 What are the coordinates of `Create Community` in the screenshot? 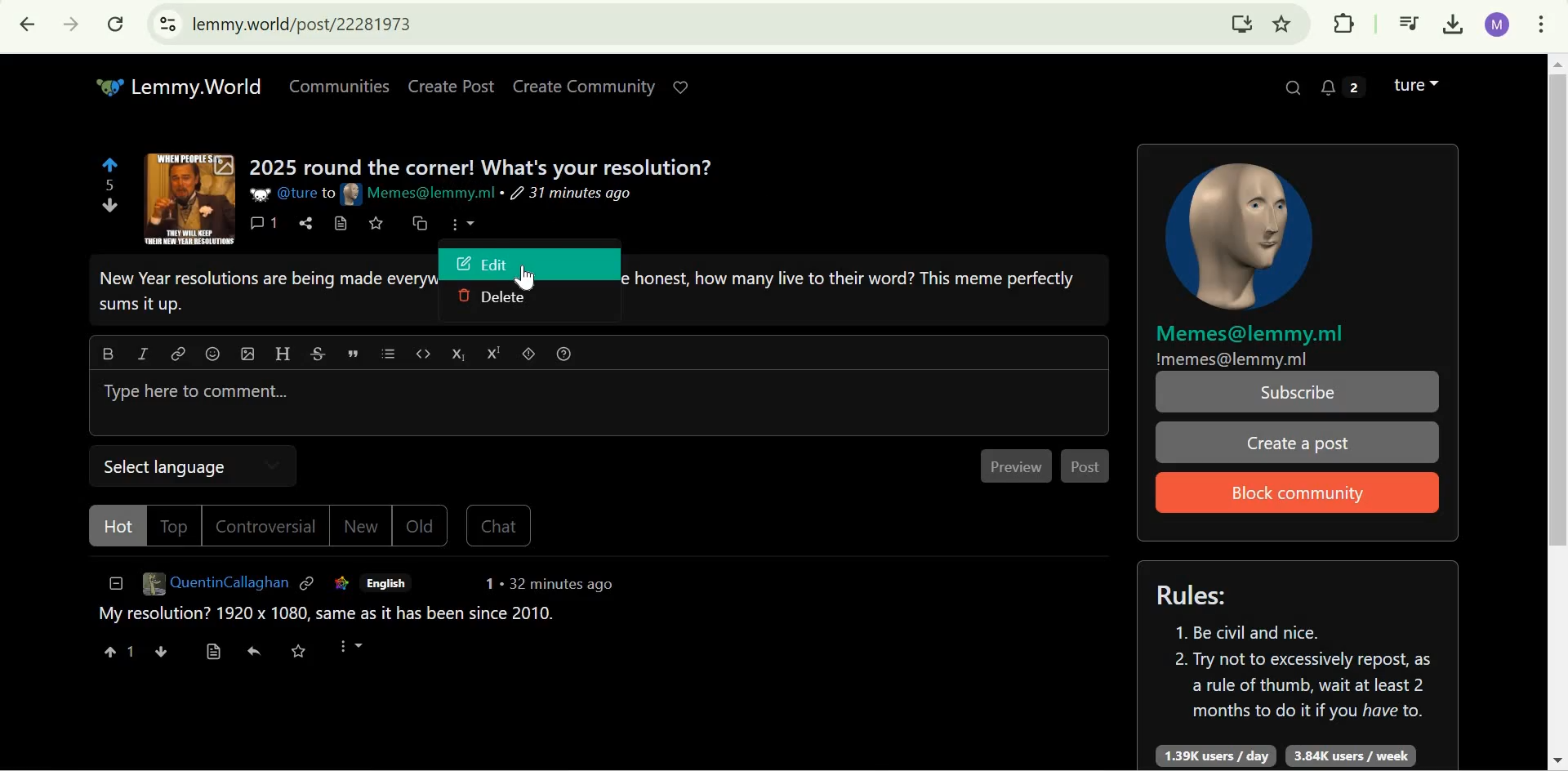 It's located at (583, 87).